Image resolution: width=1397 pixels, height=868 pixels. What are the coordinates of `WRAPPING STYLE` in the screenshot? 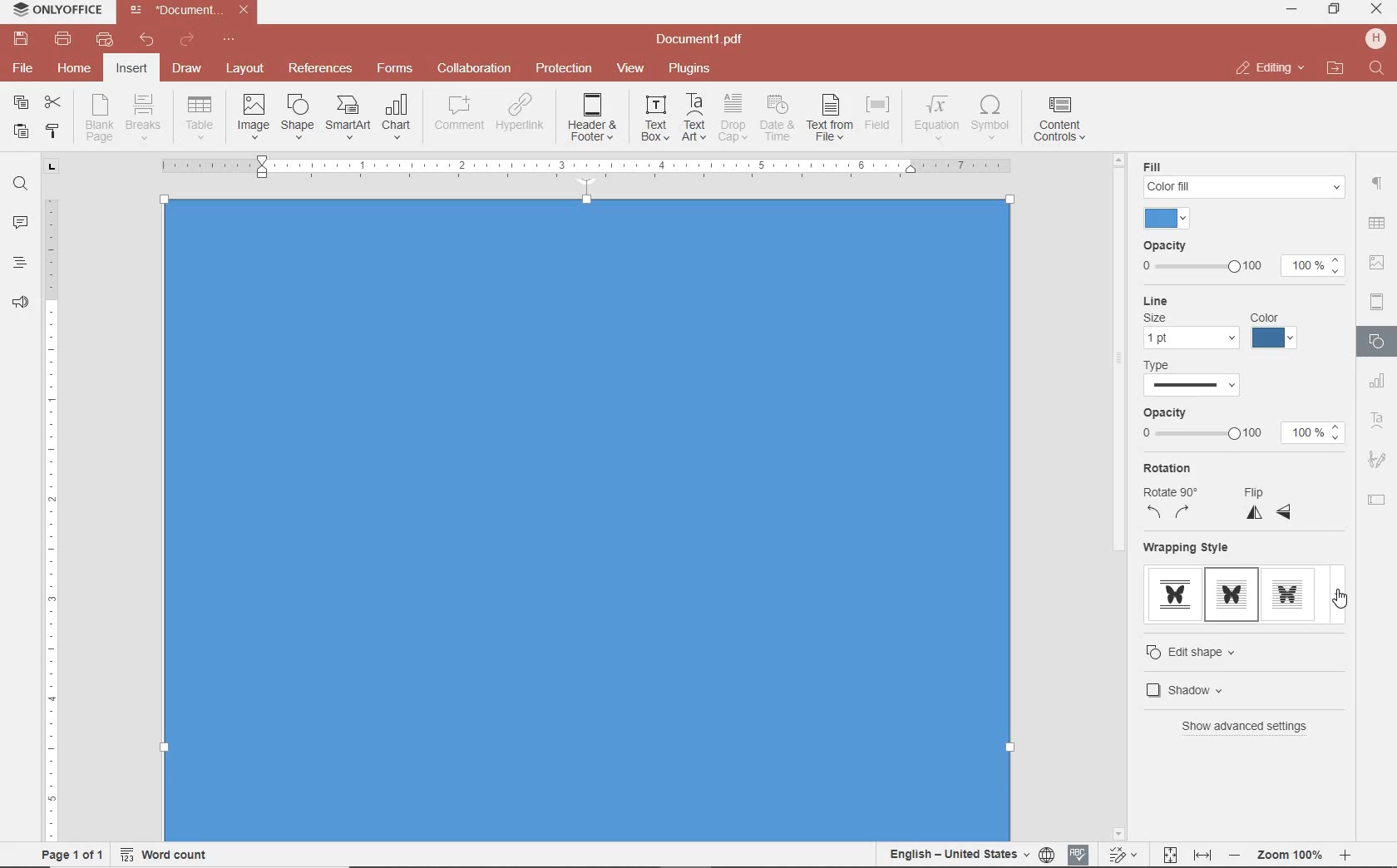 It's located at (1238, 579).